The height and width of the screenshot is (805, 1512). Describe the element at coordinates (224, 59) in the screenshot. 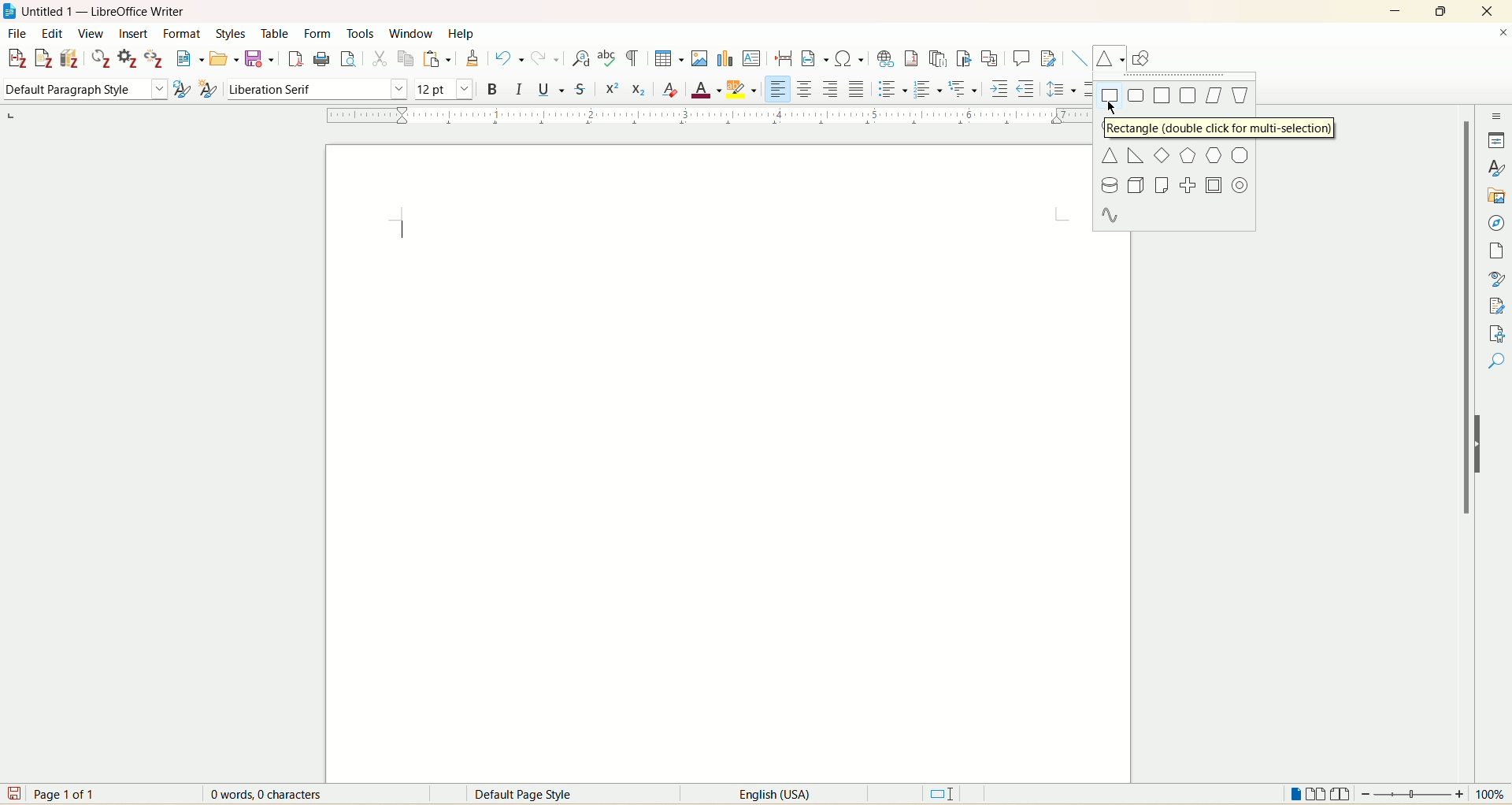

I see `open` at that location.